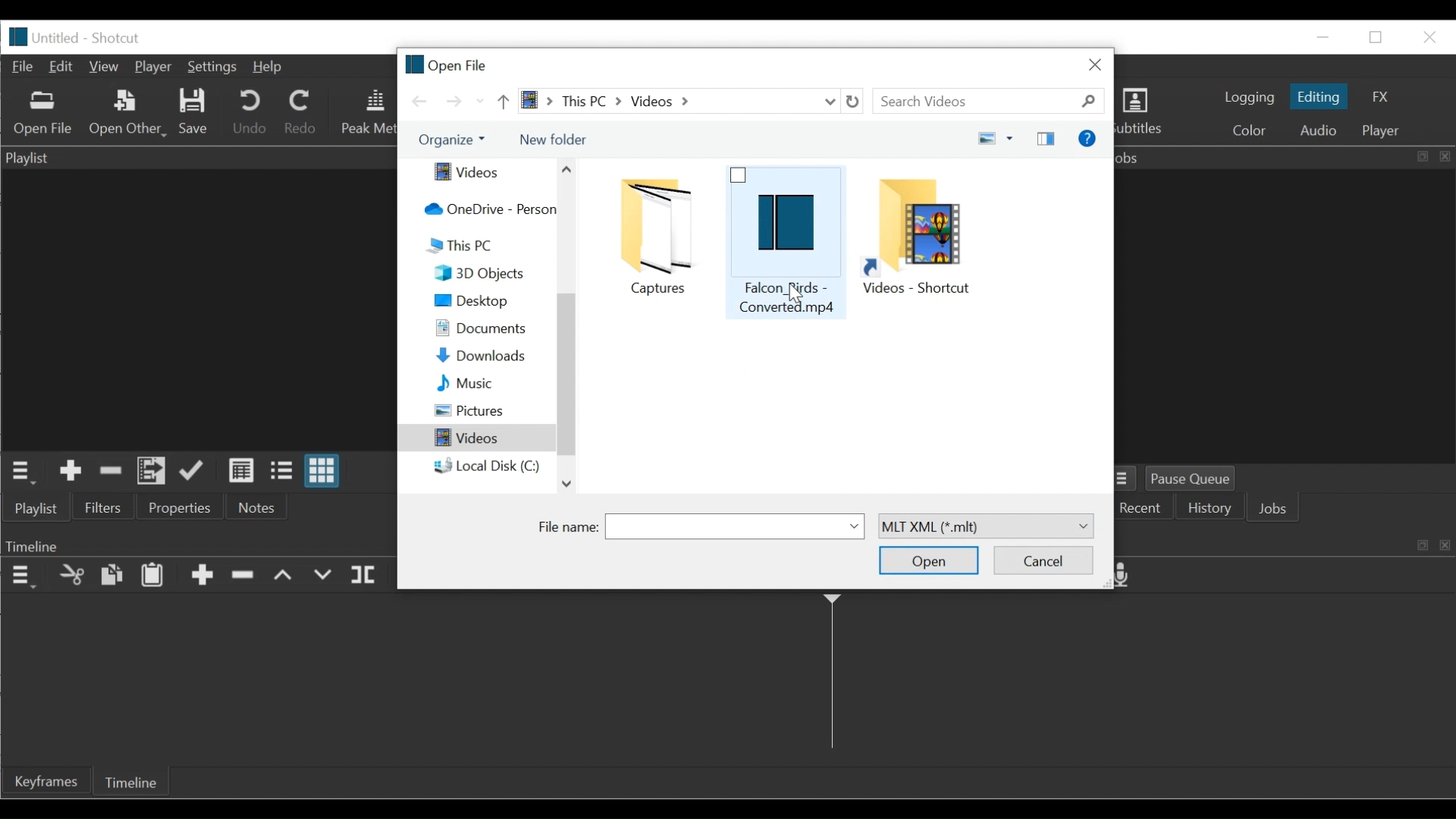 This screenshot has height=819, width=1456. I want to click on Refresh, so click(857, 102).